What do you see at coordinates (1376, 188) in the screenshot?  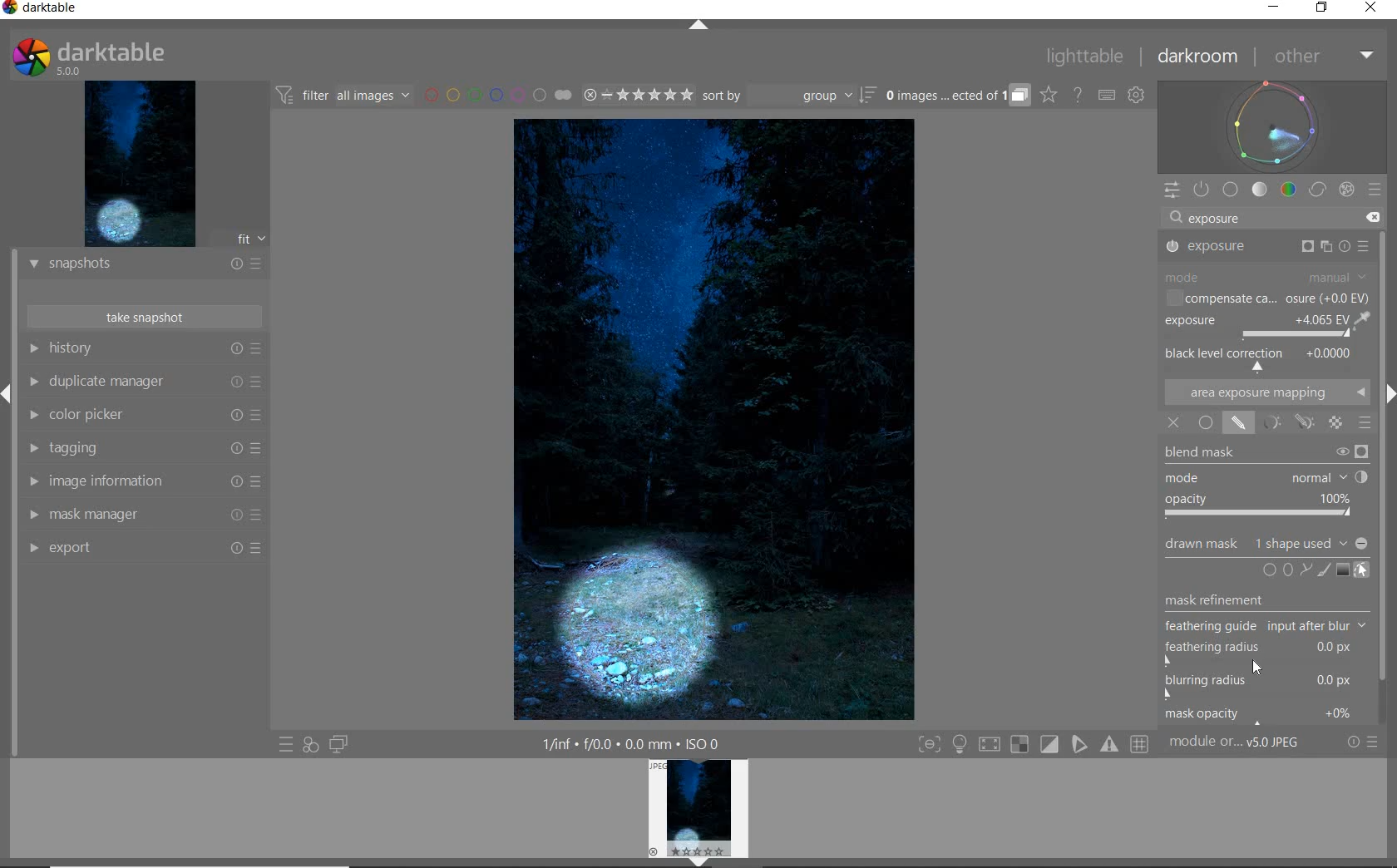 I see `PRESETS` at bounding box center [1376, 188].